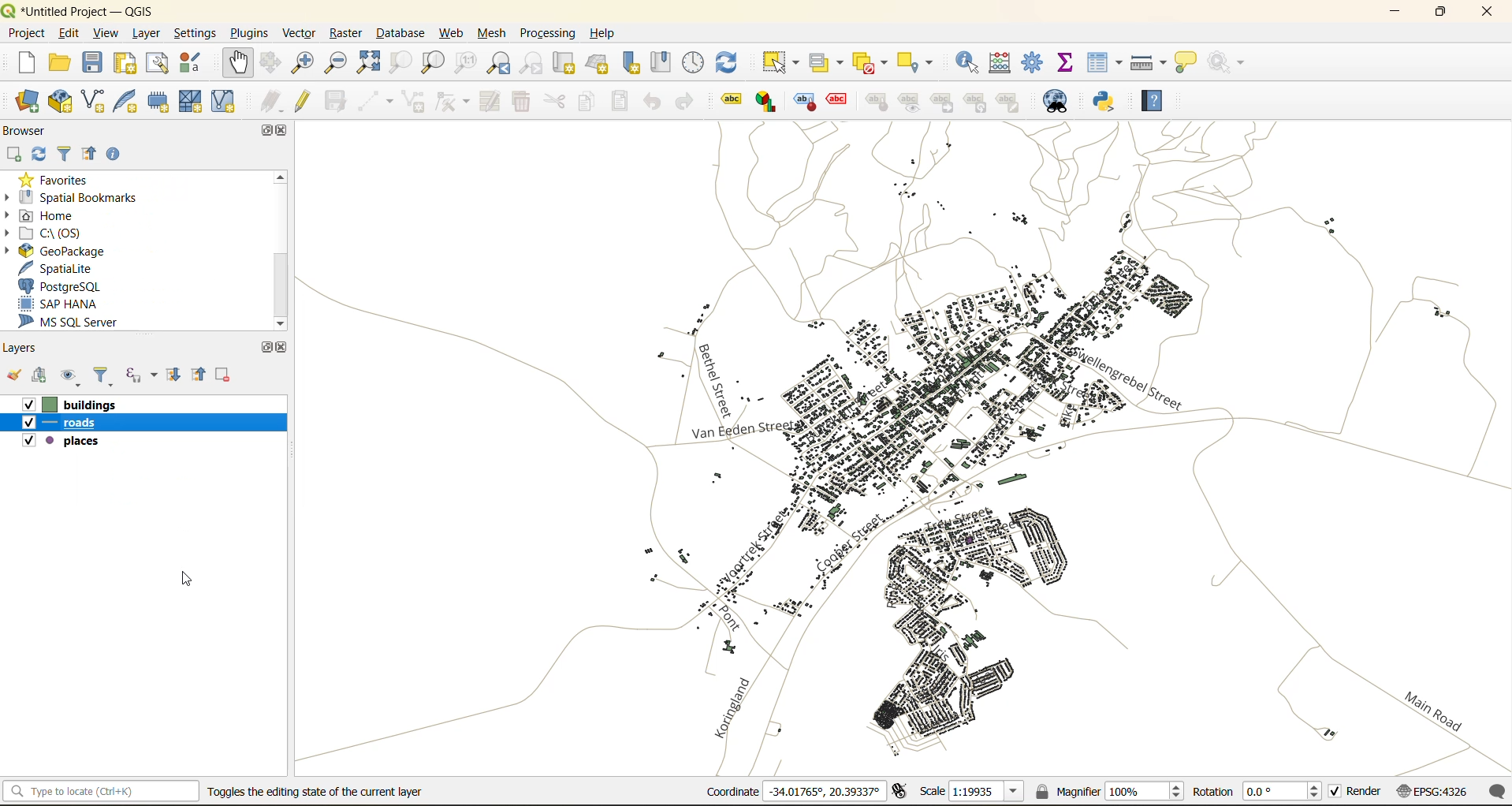 The height and width of the screenshot is (806, 1512). I want to click on vector, so click(299, 34).